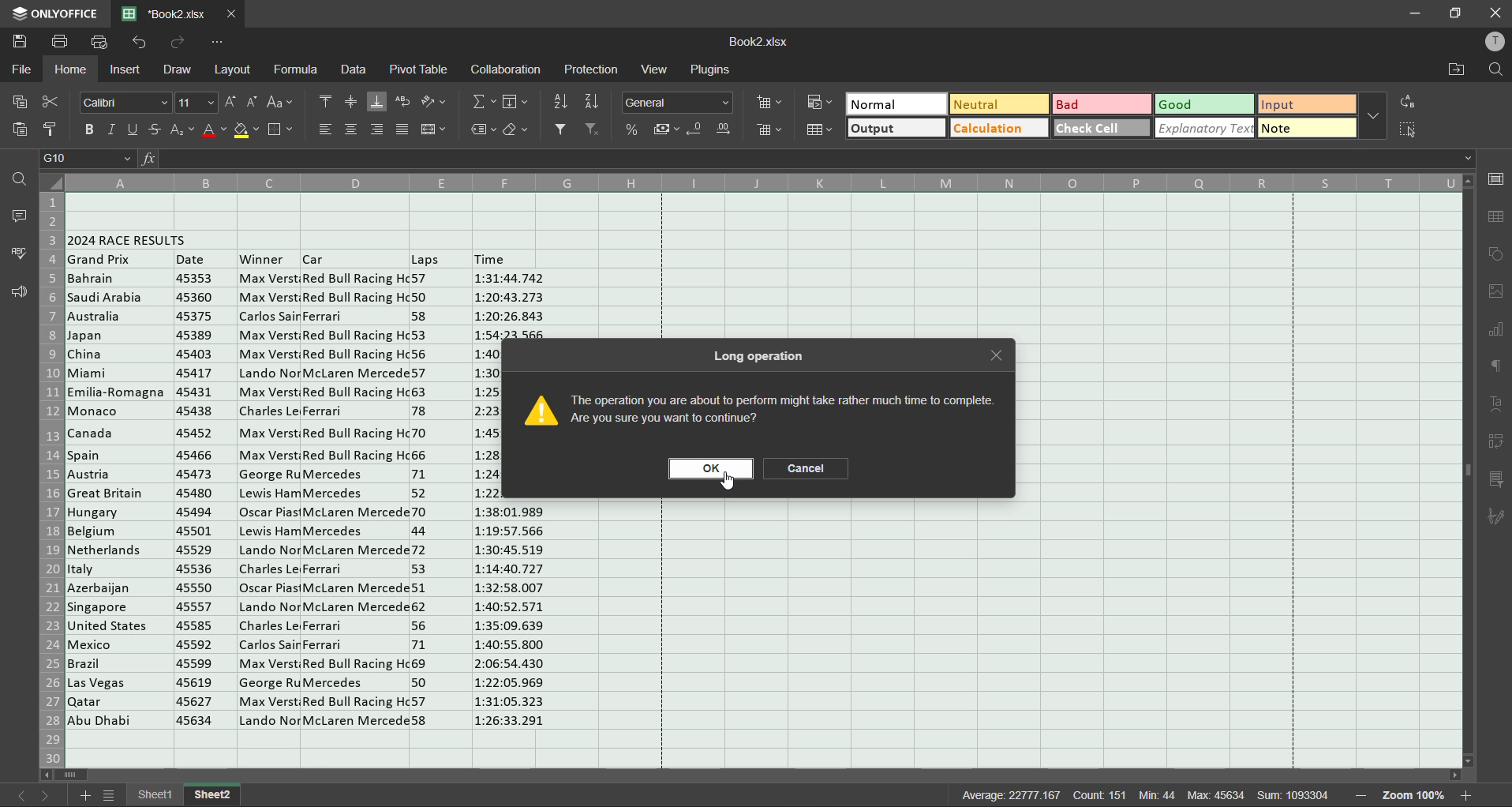  What do you see at coordinates (1489, 41) in the screenshot?
I see `profile` at bounding box center [1489, 41].